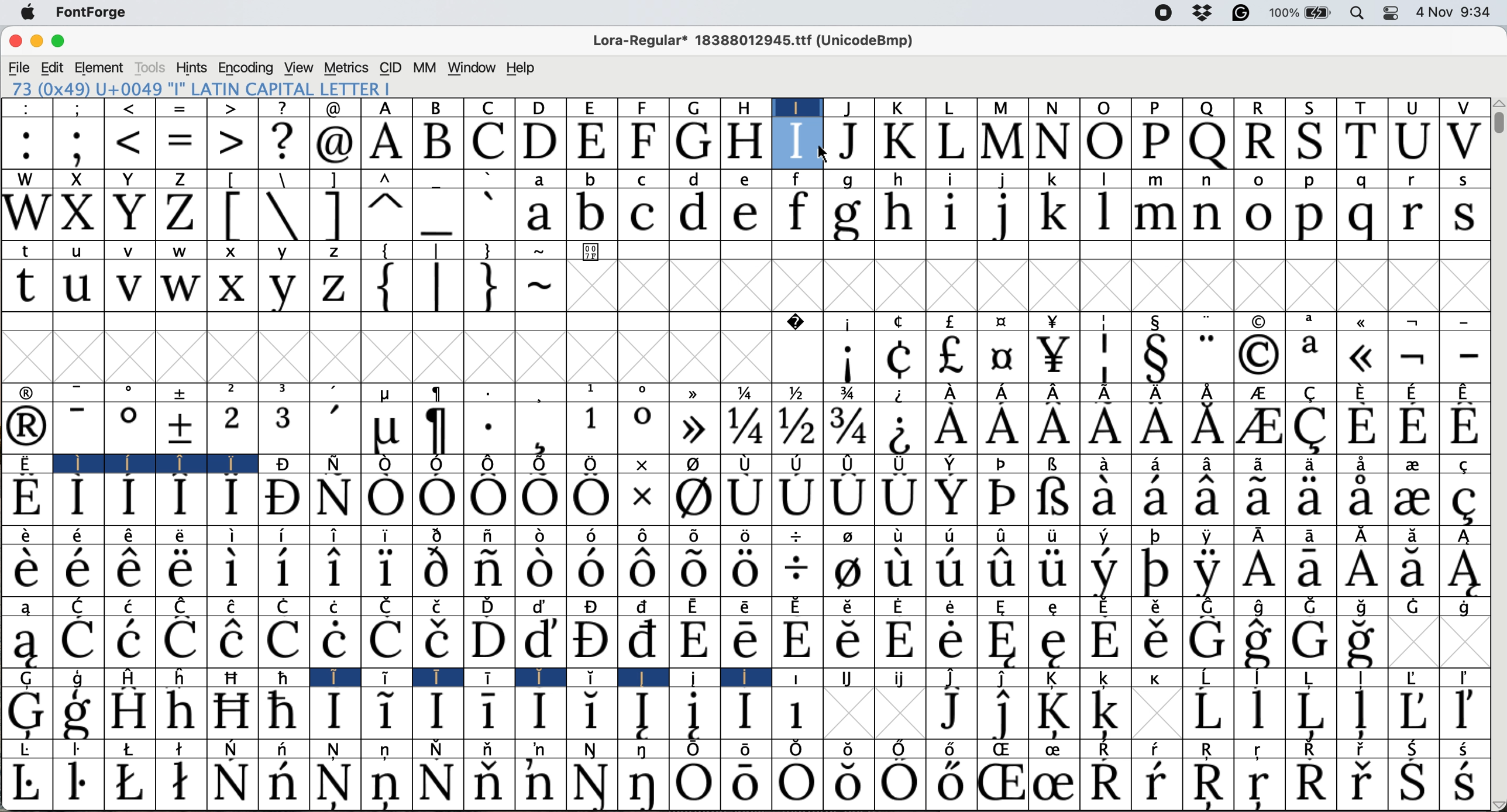  What do you see at coordinates (182, 288) in the screenshot?
I see `w` at bounding box center [182, 288].